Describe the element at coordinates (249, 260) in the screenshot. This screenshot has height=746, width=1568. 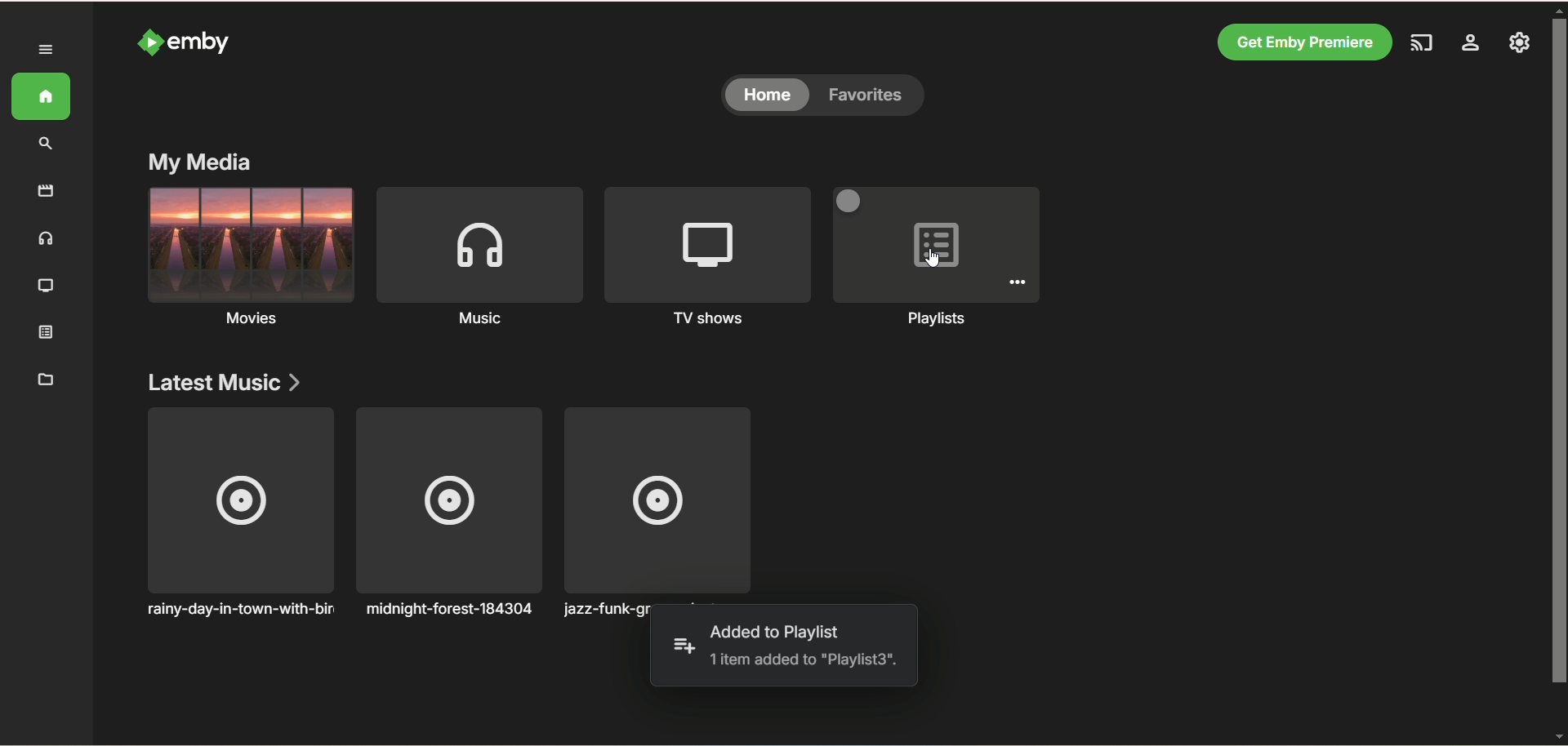
I see `movies` at that location.